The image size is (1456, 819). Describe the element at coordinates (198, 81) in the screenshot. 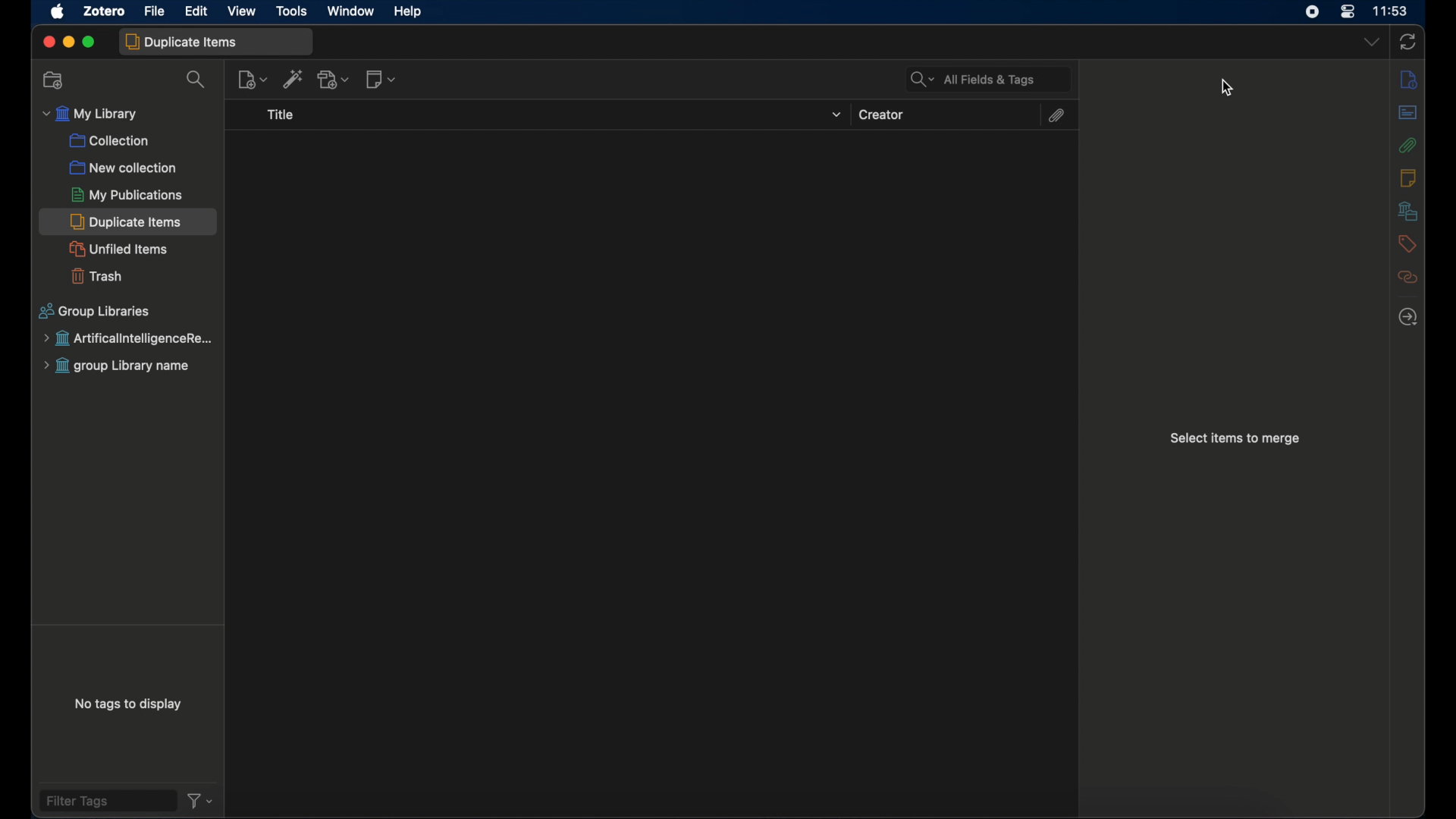

I see `search` at that location.